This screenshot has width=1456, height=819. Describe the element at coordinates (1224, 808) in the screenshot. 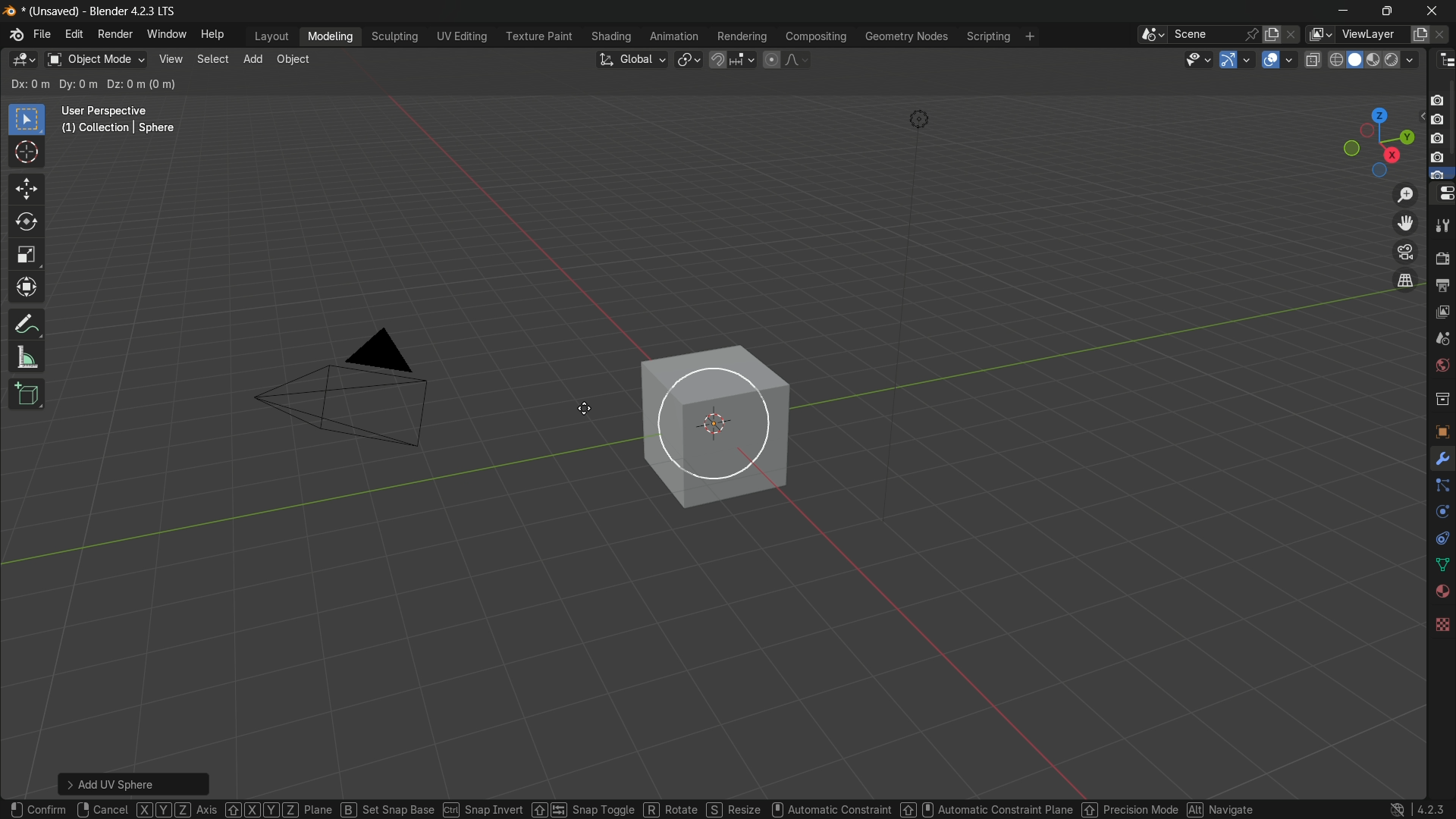

I see `Navigate` at that location.